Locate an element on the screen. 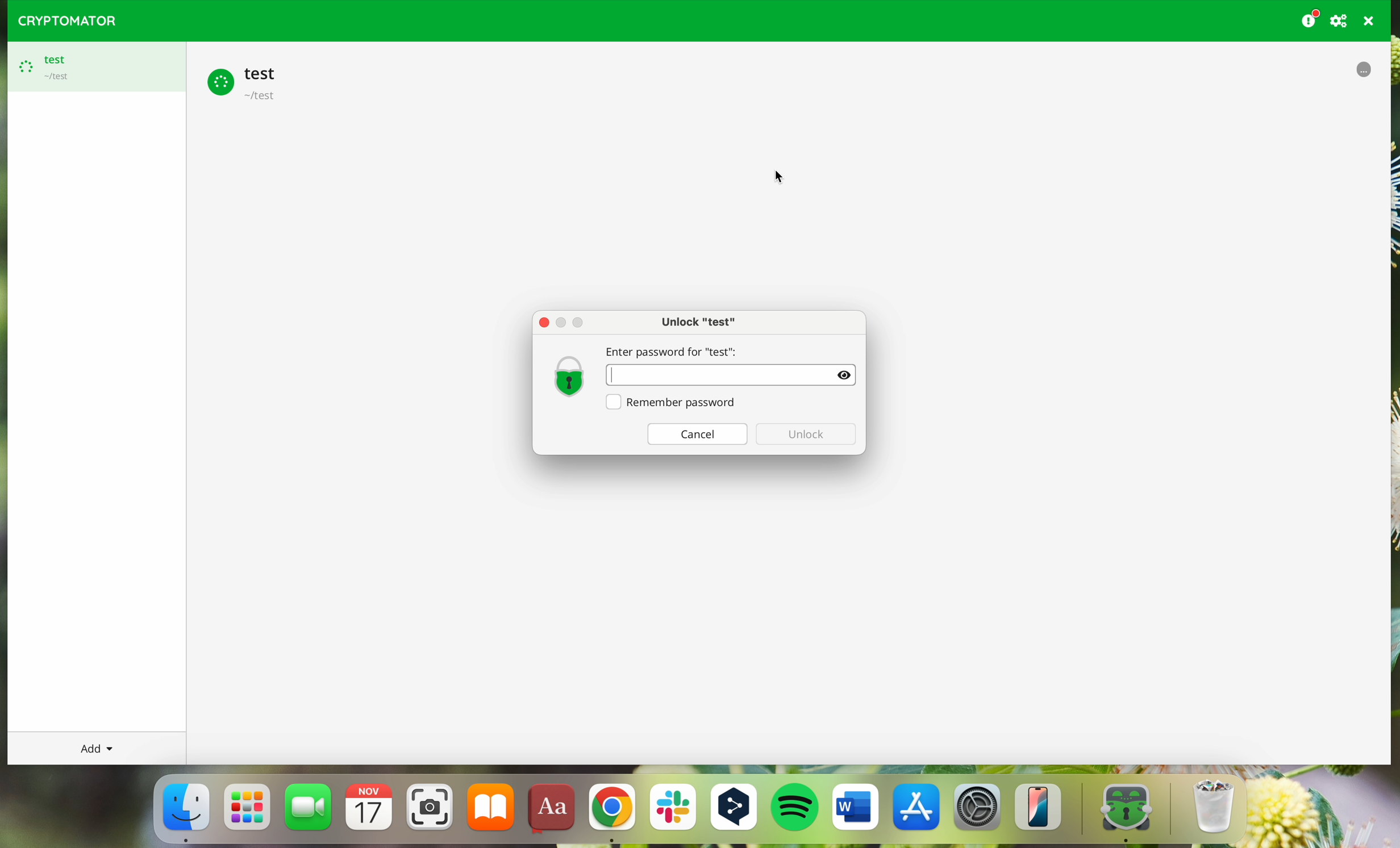  quit program is located at coordinates (1369, 21).